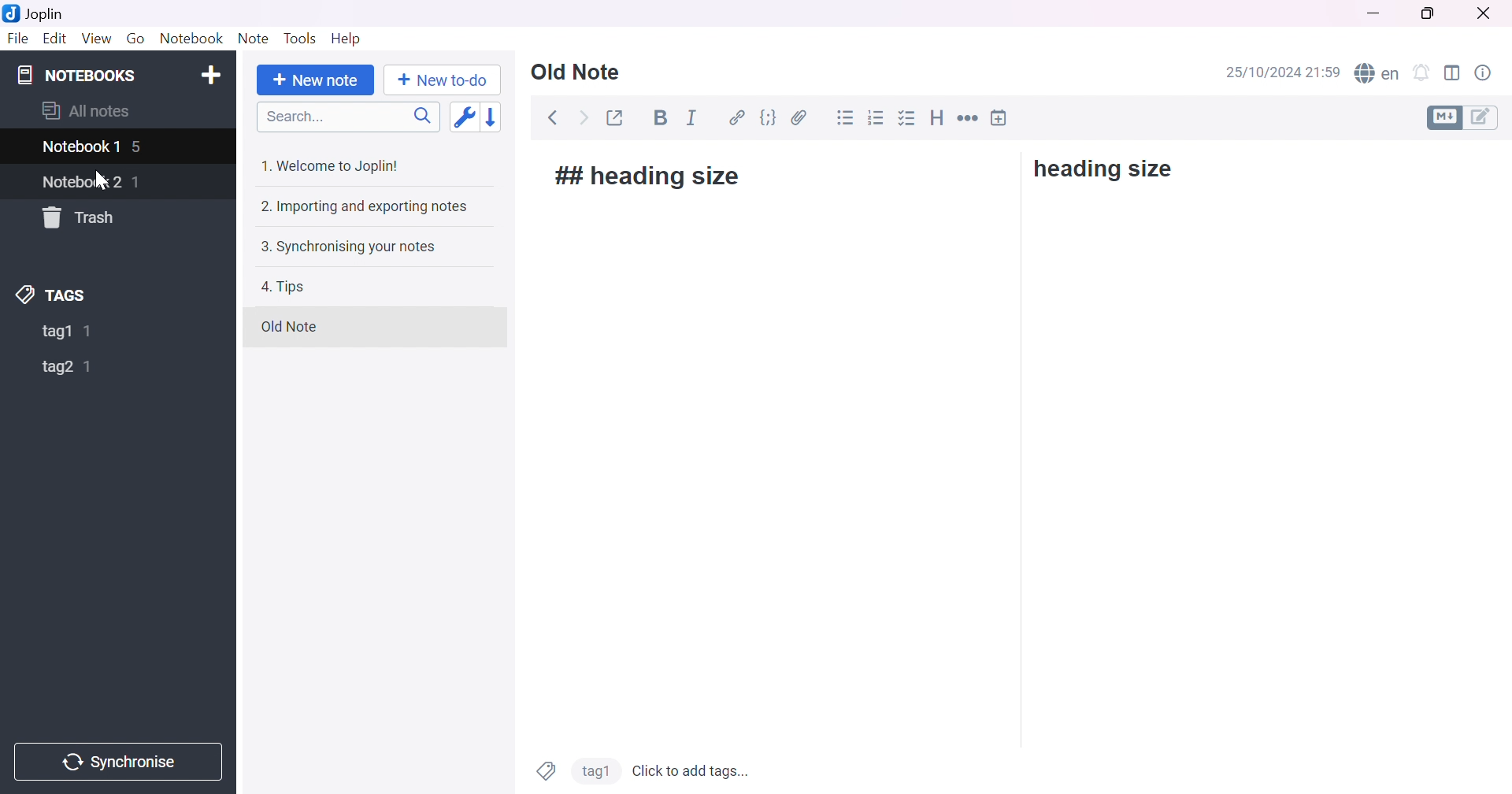 This screenshot has height=794, width=1512. What do you see at coordinates (769, 121) in the screenshot?
I see `Code` at bounding box center [769, 121].